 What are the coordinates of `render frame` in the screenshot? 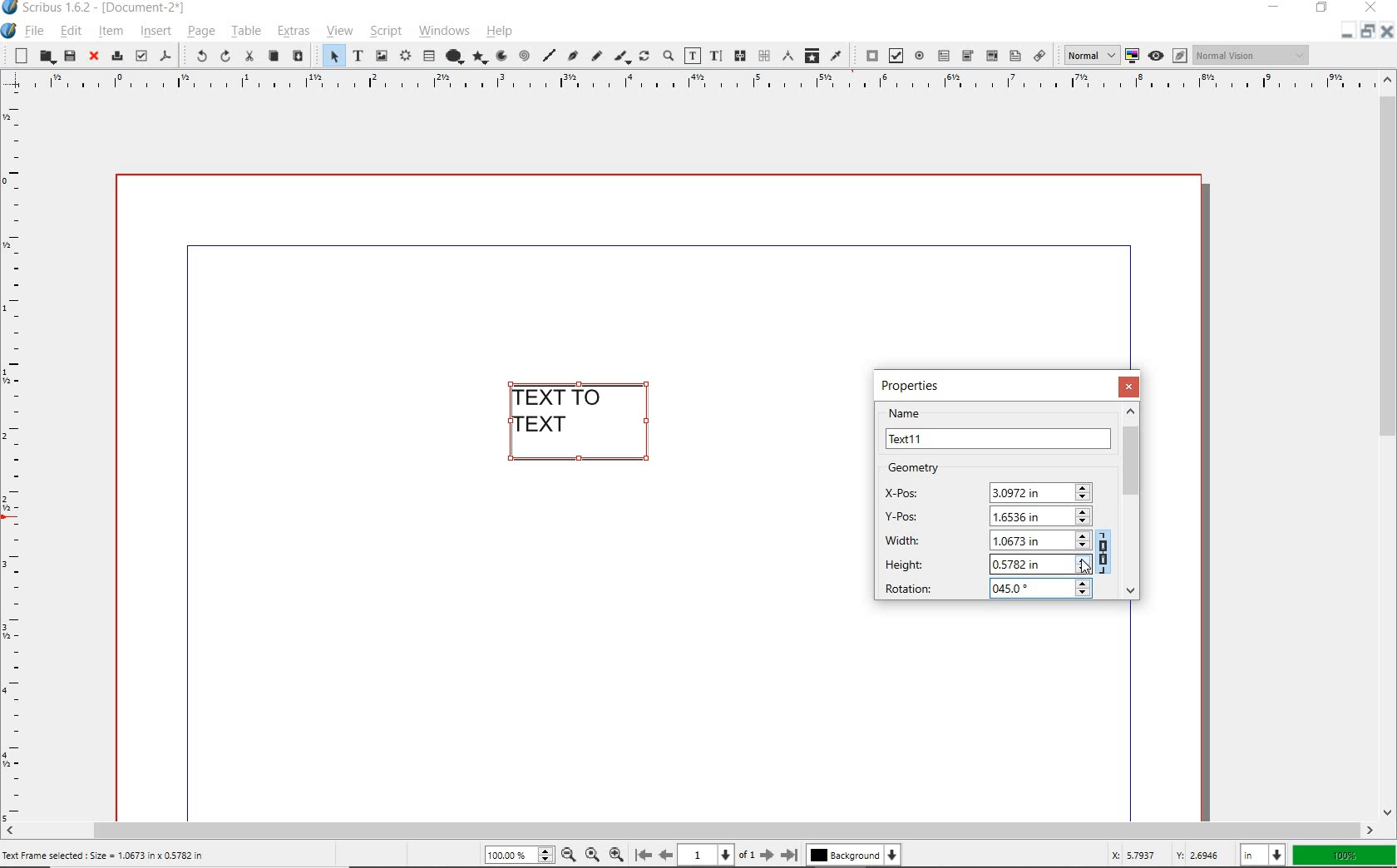 It's located at (405, 57).